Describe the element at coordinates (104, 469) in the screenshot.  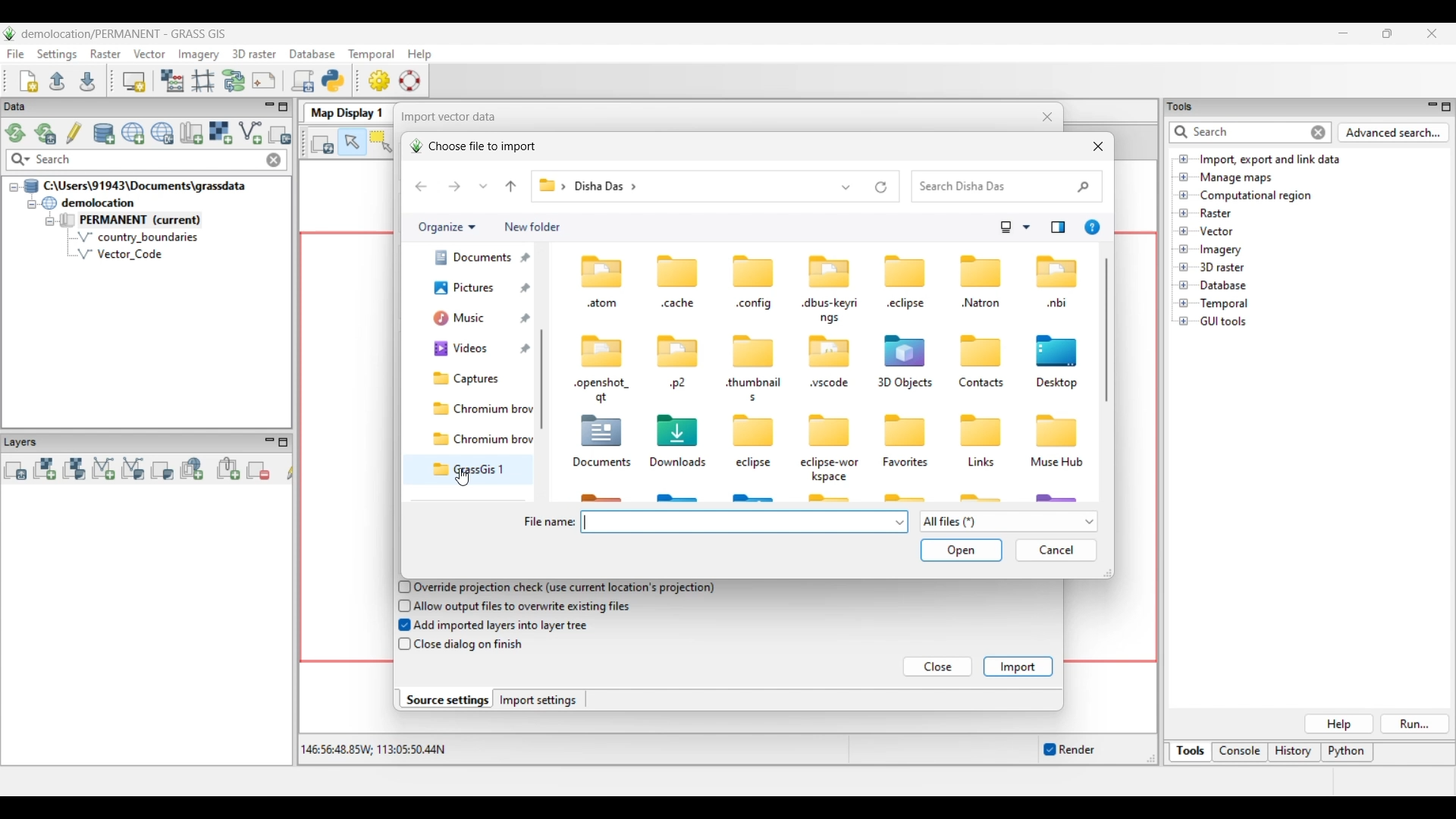
I see `Add vector map layer` at that location.